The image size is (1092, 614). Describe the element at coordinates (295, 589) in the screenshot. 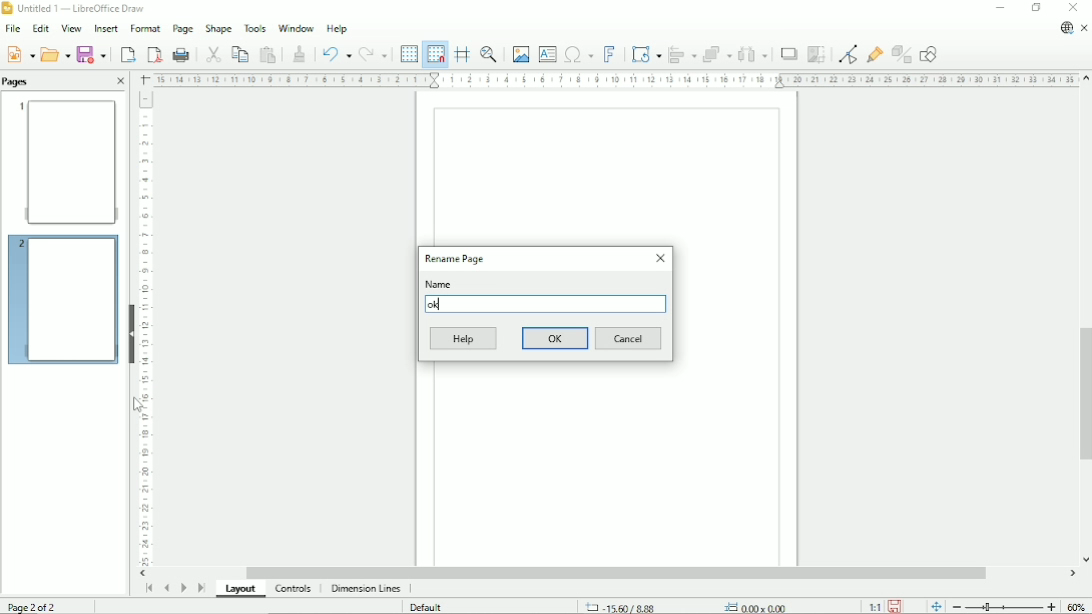

I see `Controls` at that location.